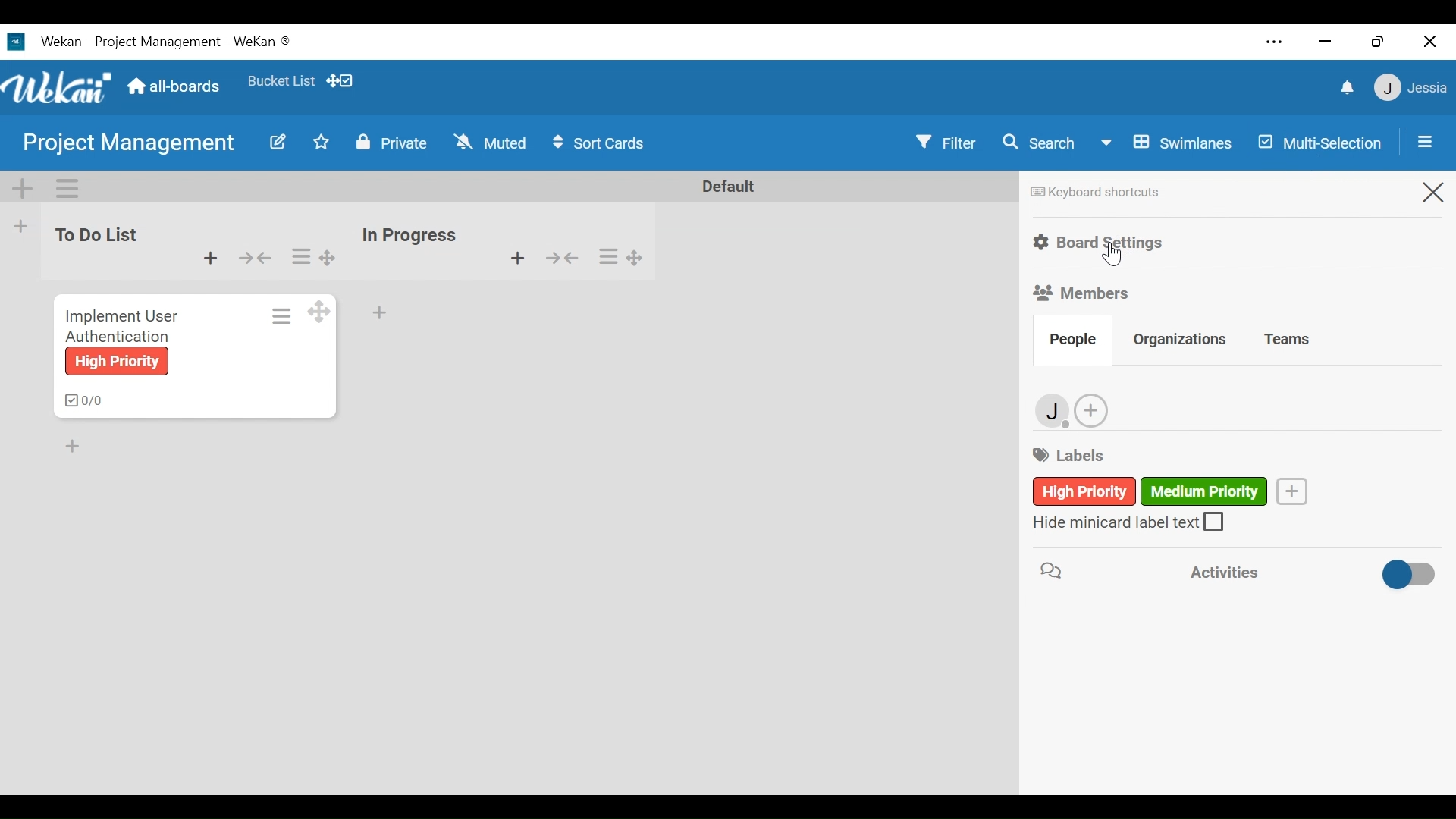  I want to click on Card actions, so click(281, 315).